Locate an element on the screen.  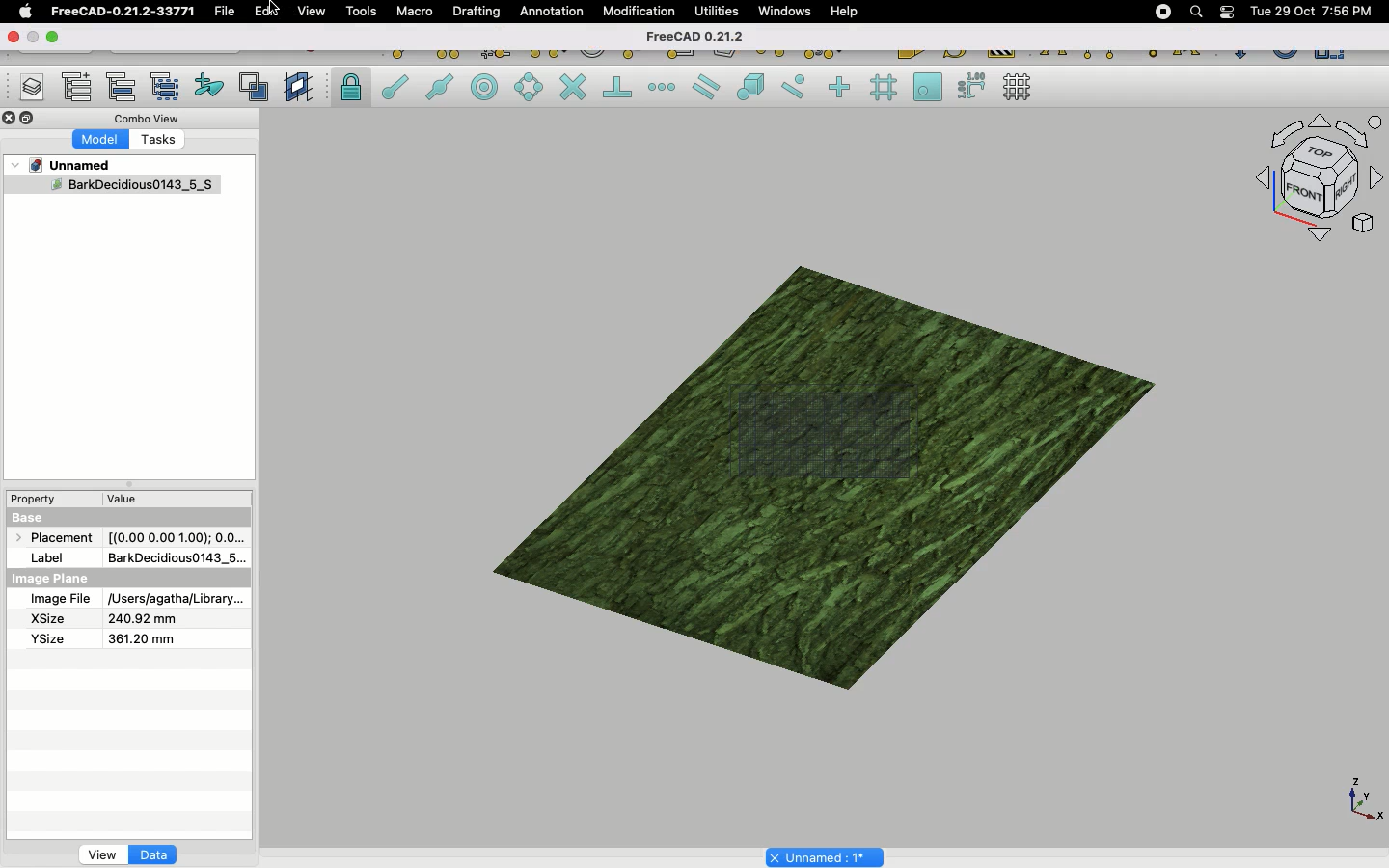
Navigation styles is located at coordinates (1318, 181).